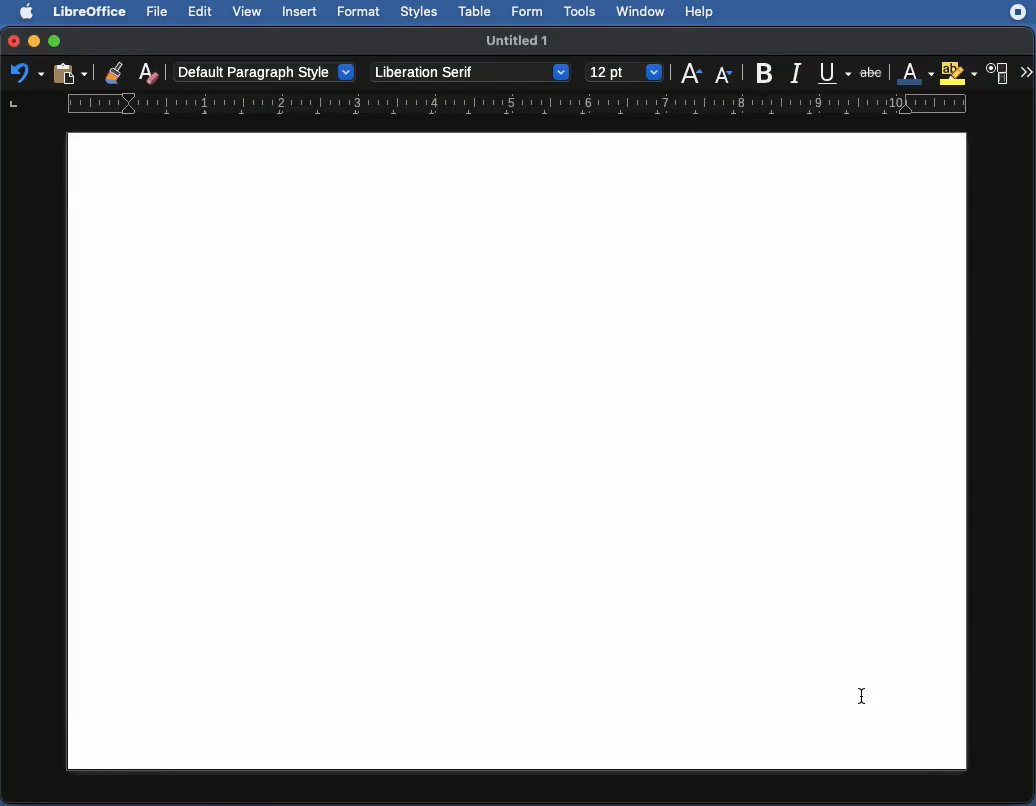 Image resolution: width=1036 pixels, height=806 pixels. What do you see at coordinates (530, 11) in the screenshot?
I see `Form` at bounding box center [530, 11].